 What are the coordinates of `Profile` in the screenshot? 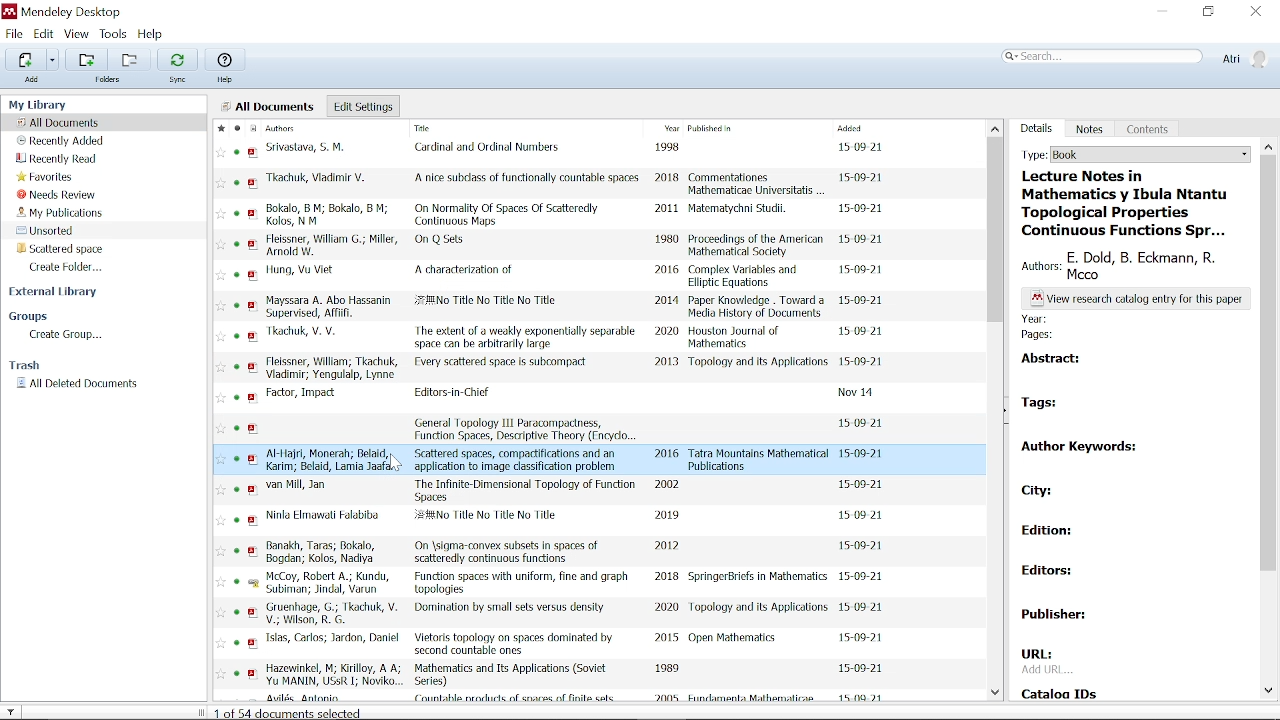 It's located at (1244, 59).